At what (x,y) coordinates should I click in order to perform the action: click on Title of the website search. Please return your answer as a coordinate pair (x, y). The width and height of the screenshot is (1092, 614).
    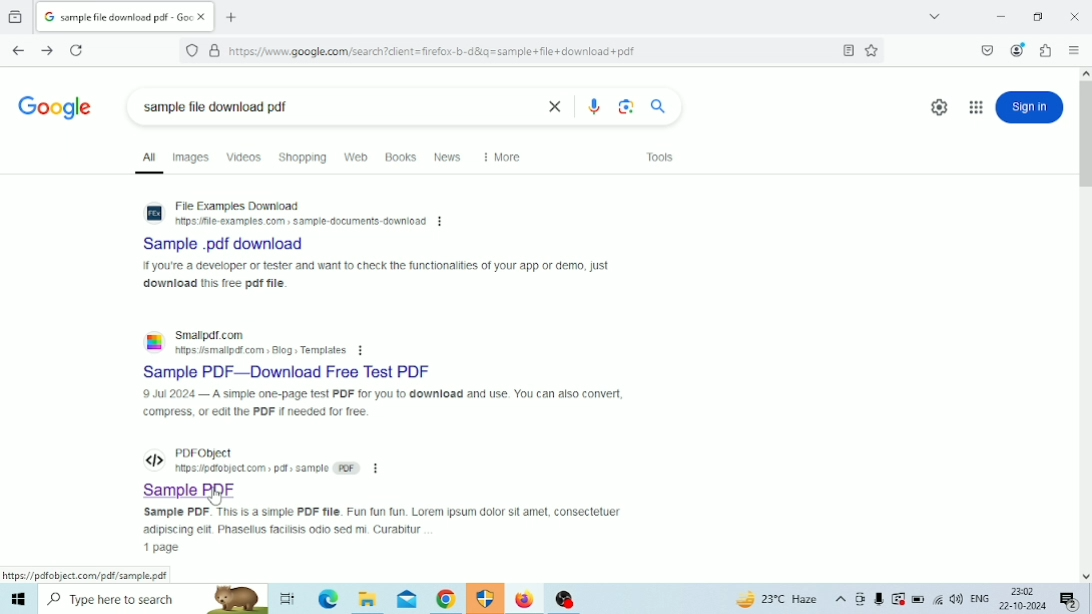
    Looking at the image, I should click on (238, 244).